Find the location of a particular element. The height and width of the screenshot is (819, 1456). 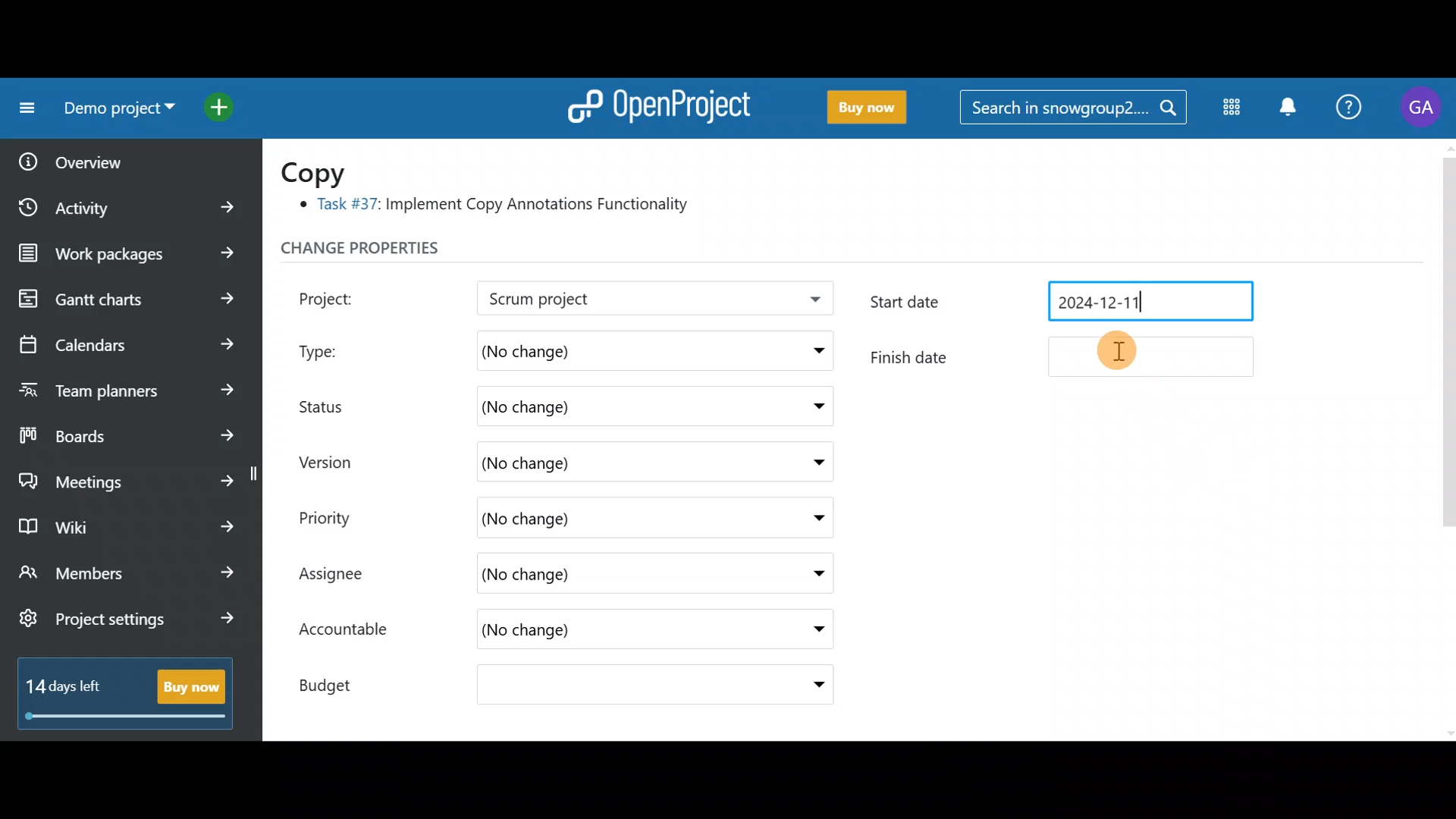

(No change) is located at coordinates (604, 687).